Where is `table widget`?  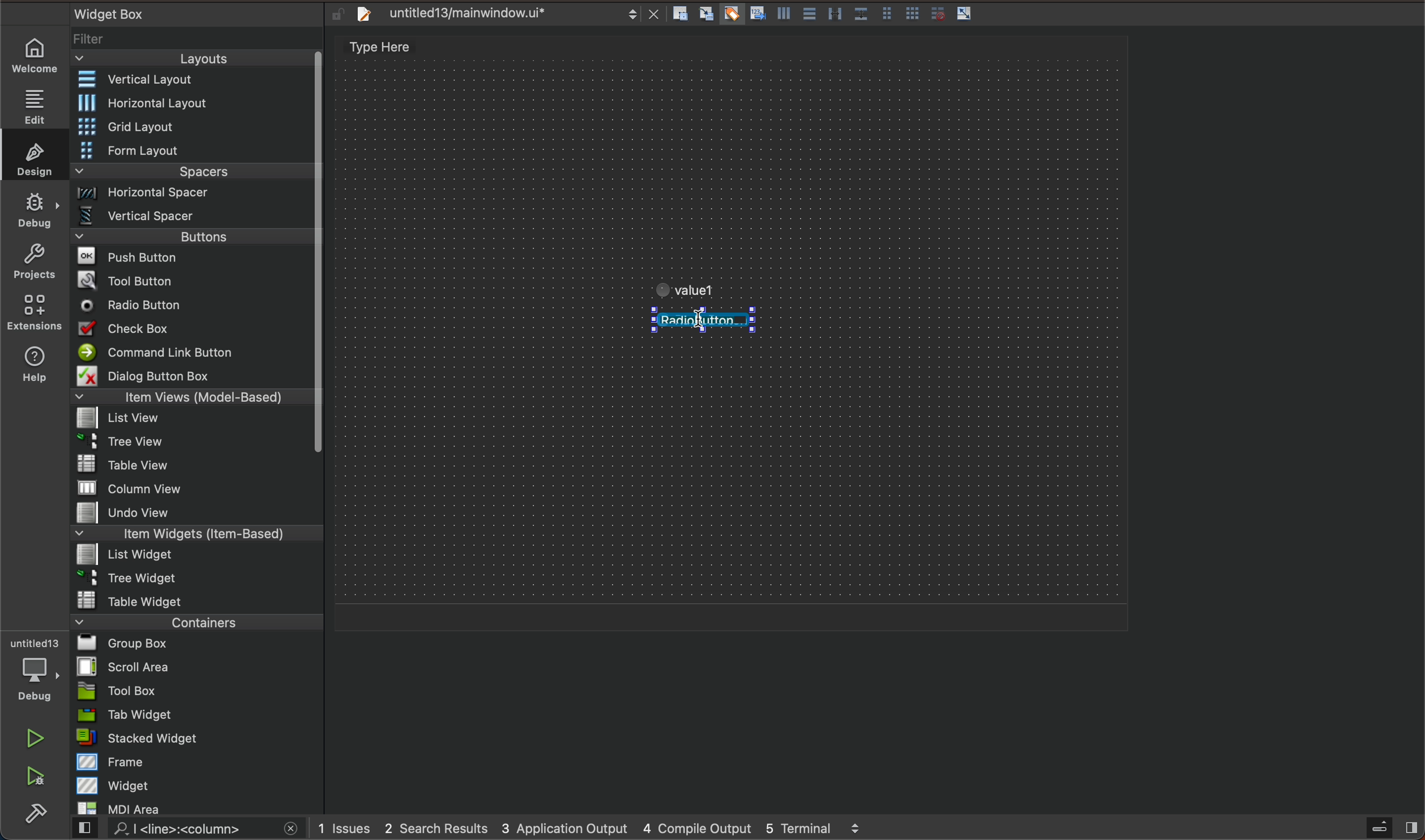
table widget is located at coordinates (198, 600).